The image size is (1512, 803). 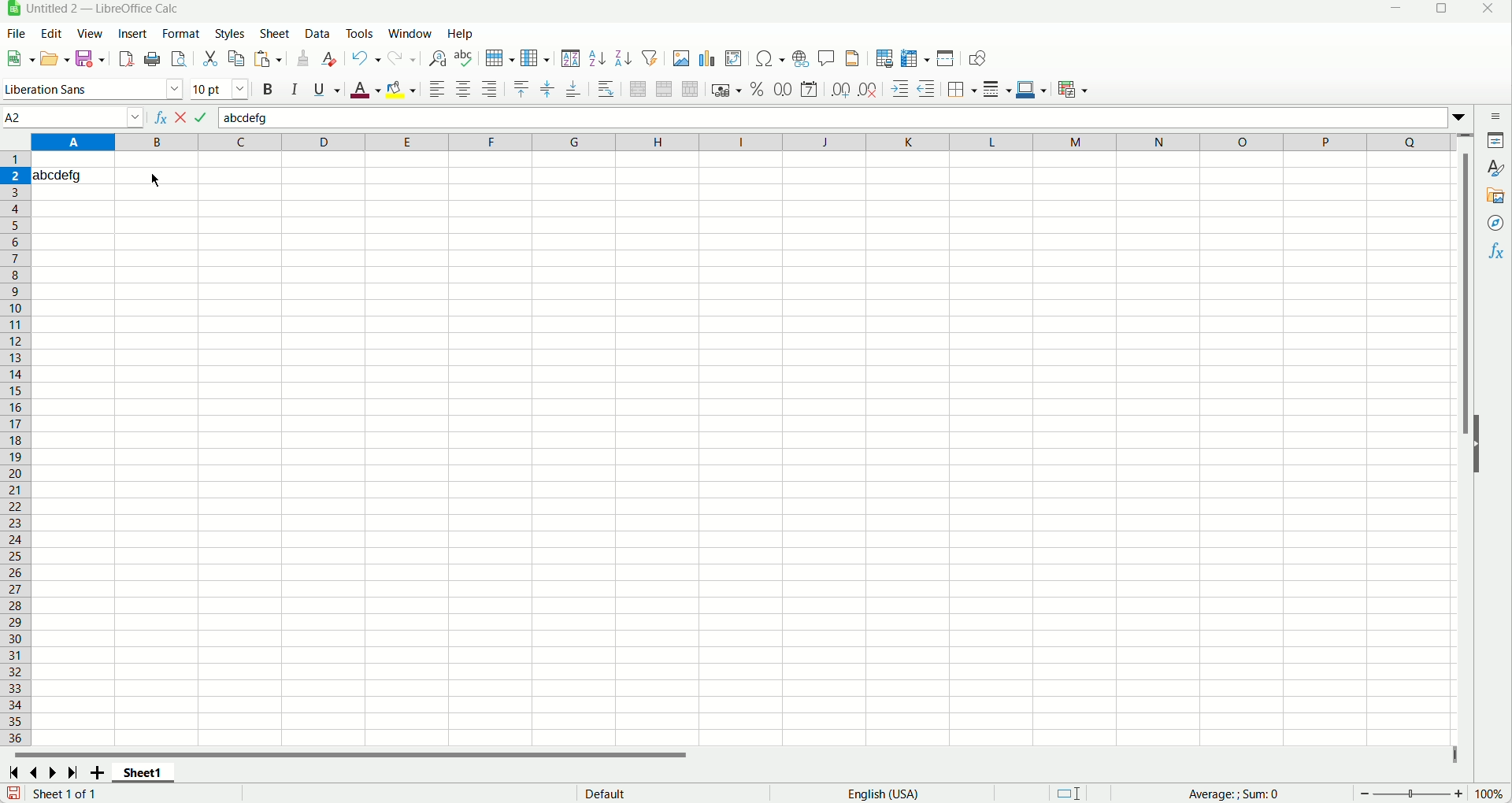 What do you see at coordinates (160, 117) in the screenshot?
I see `function wizard` at bounding box center [160, 117].